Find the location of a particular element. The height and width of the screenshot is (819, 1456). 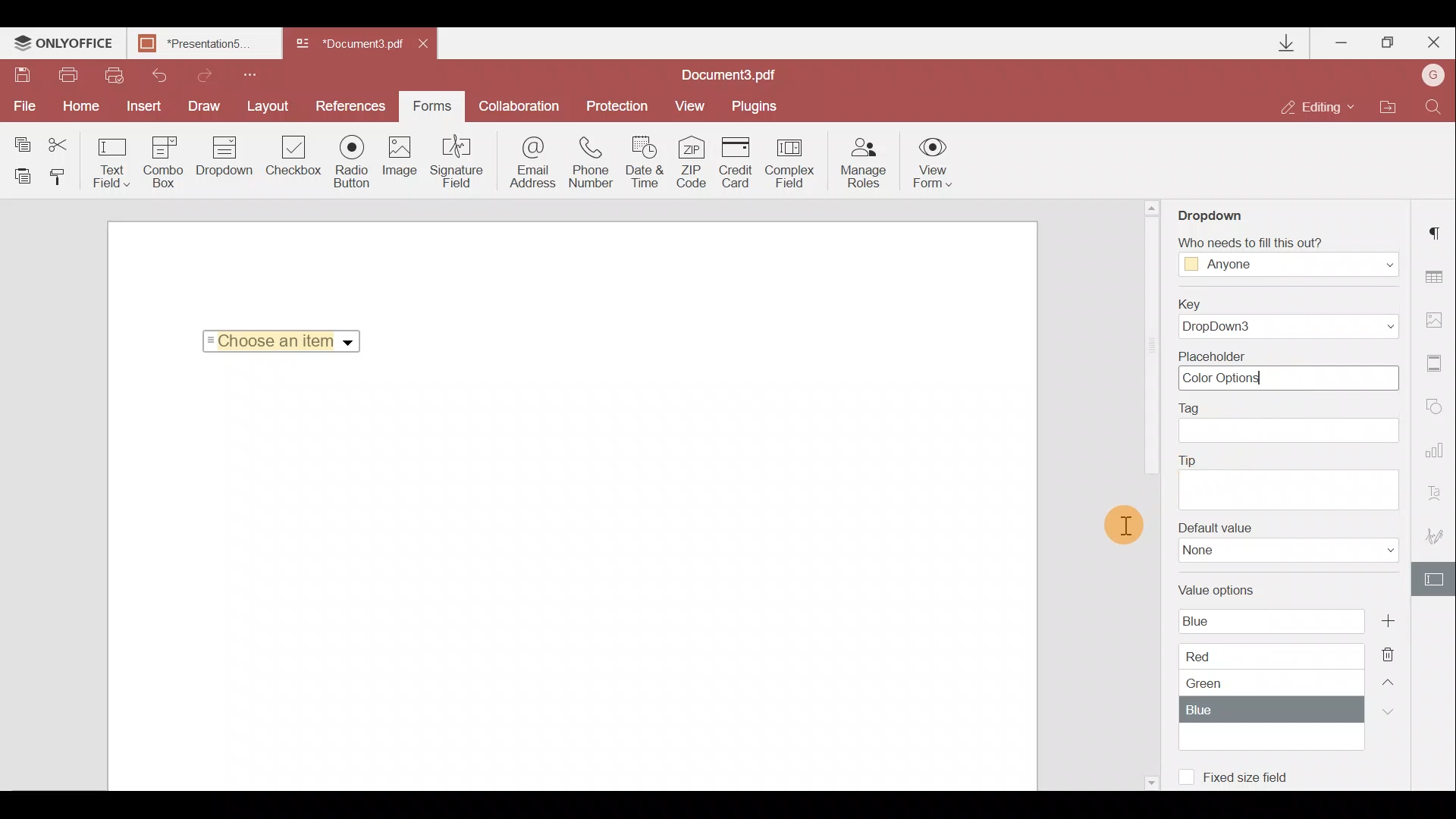

Radio is located at coordinates (354, 162).